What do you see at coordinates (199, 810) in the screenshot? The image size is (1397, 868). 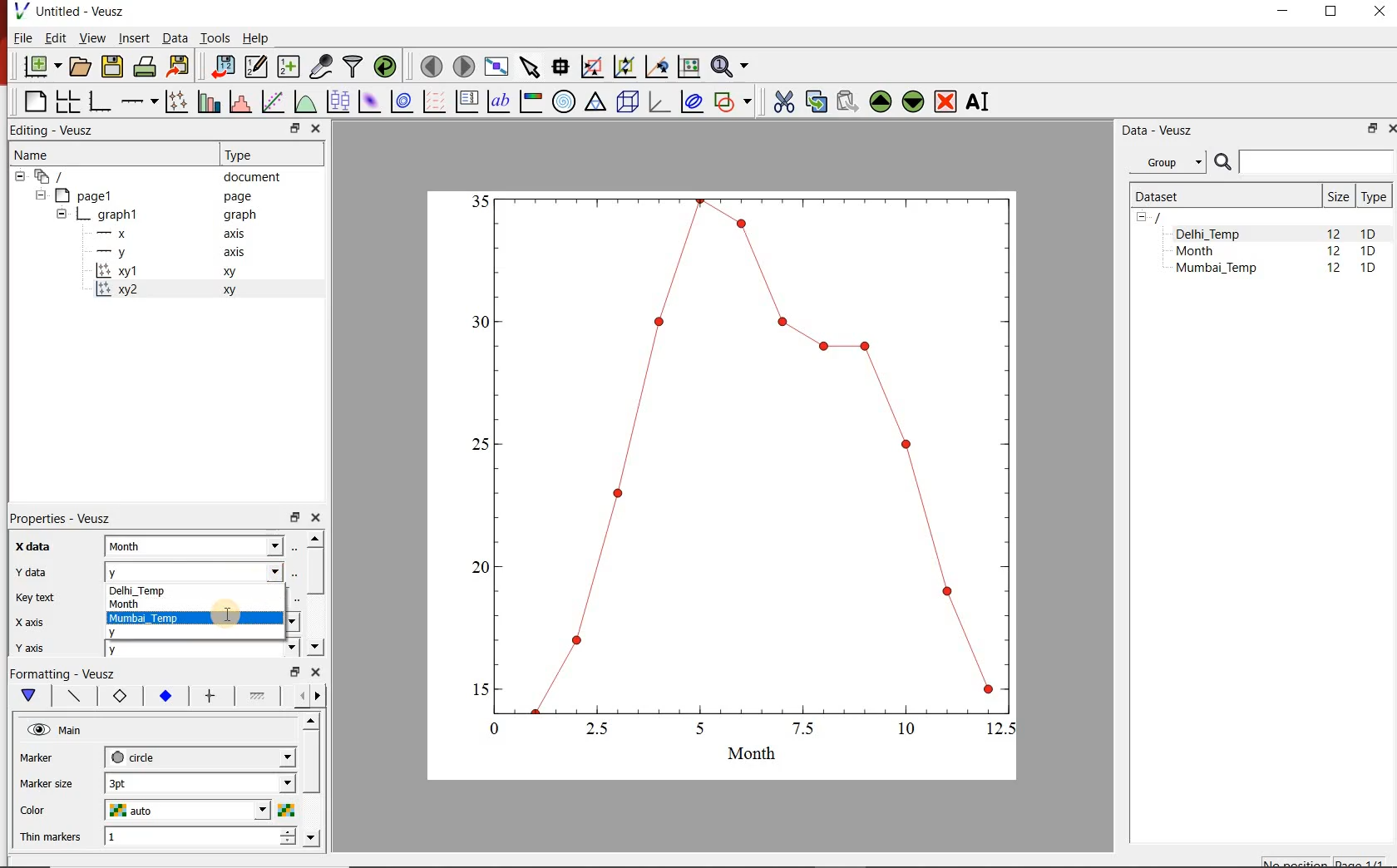 I see `auto` at bounding box center [199, 810].